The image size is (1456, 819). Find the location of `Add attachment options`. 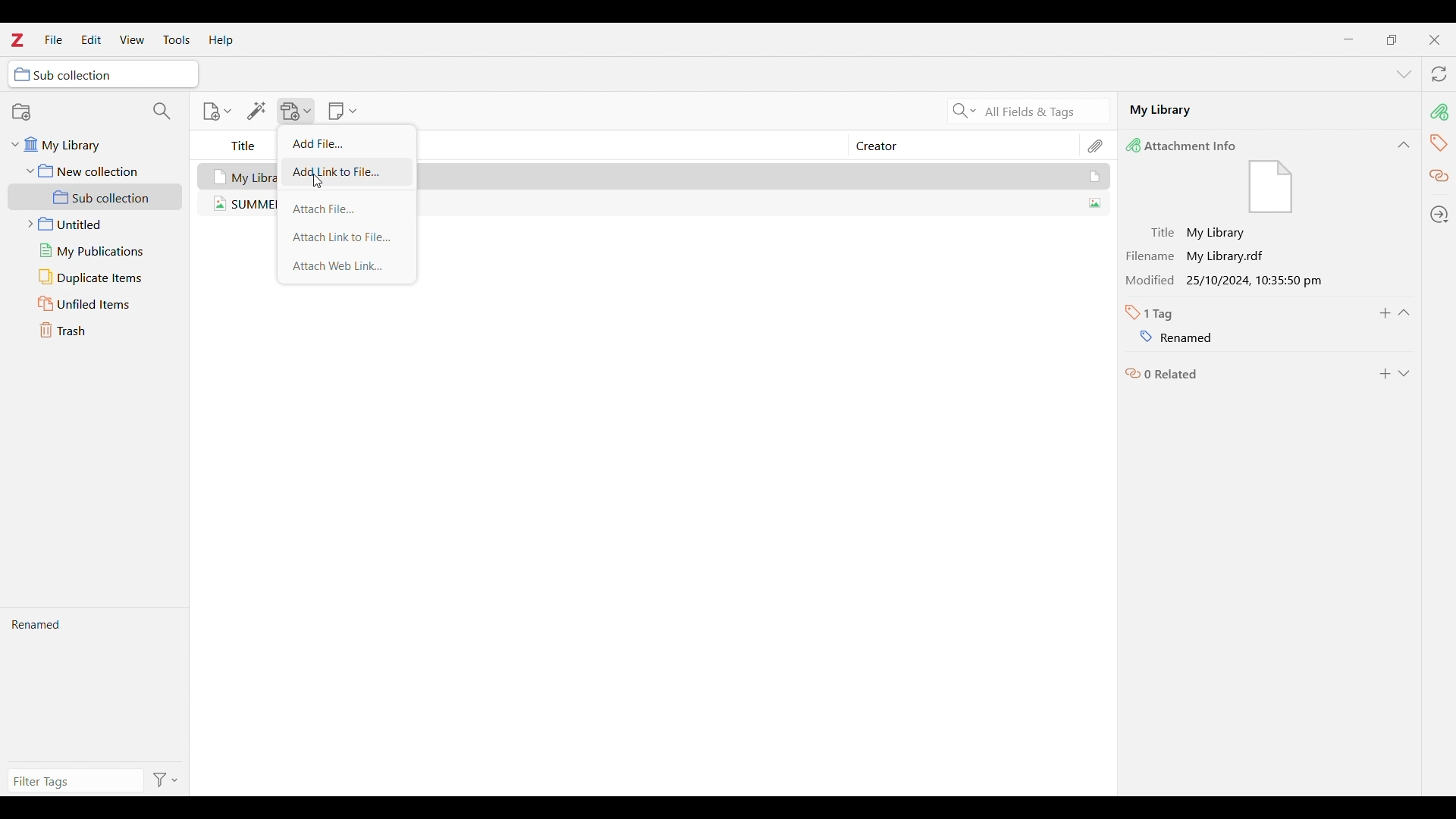

Add attachment options is located at coordinates (297, 111).